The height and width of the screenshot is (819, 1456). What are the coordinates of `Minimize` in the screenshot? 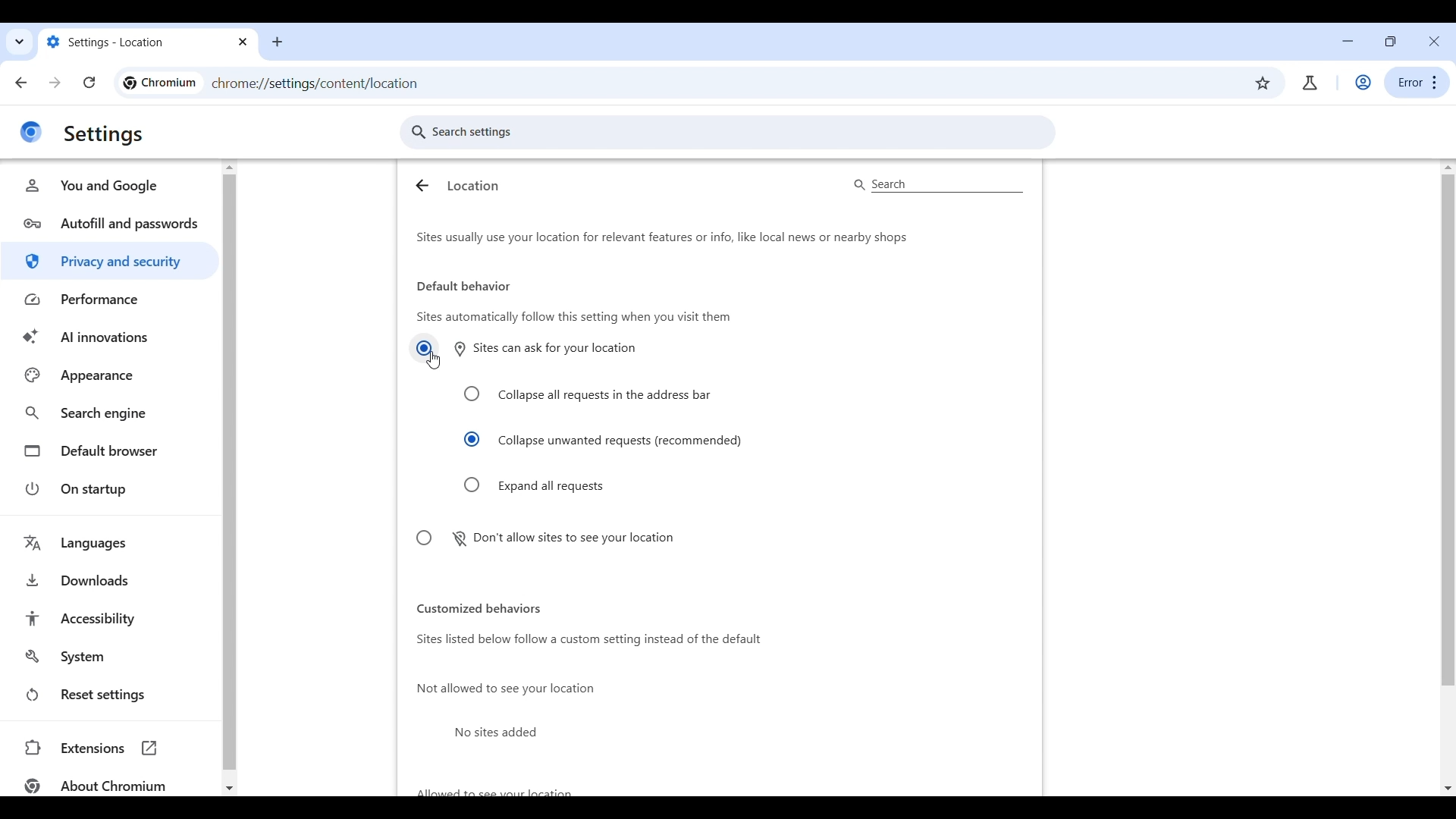 It's located at (1348, 41).